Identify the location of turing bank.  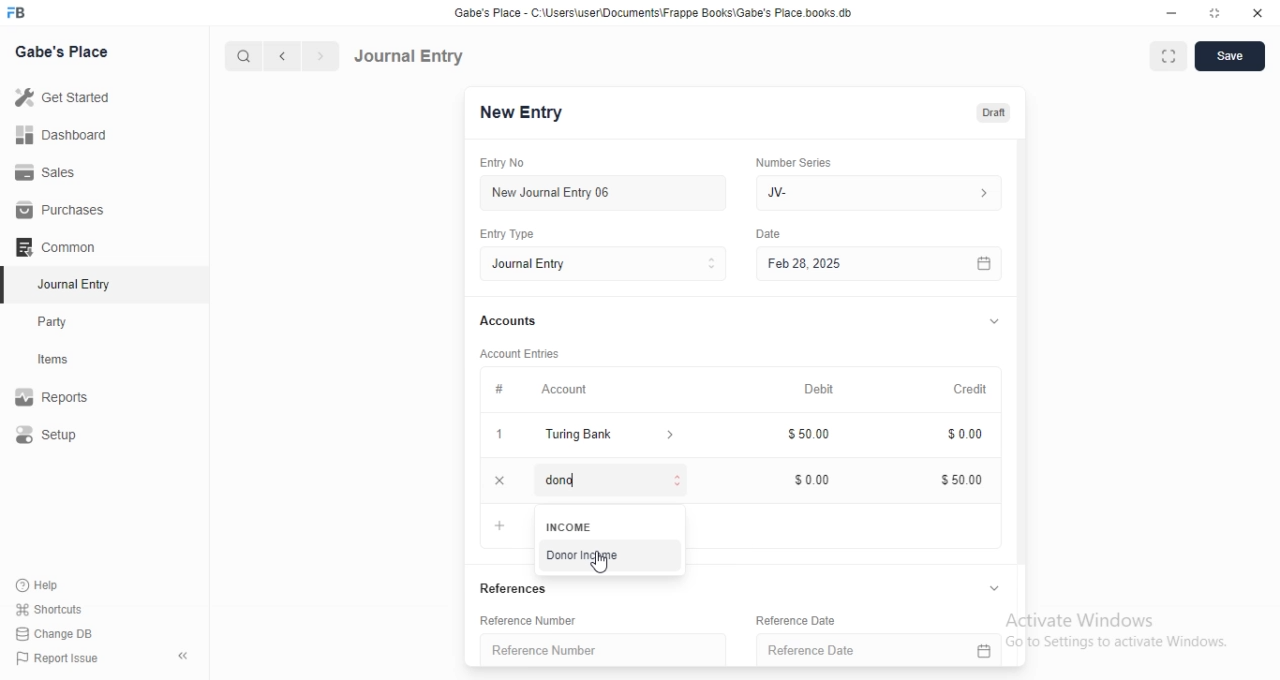
(606, 436).